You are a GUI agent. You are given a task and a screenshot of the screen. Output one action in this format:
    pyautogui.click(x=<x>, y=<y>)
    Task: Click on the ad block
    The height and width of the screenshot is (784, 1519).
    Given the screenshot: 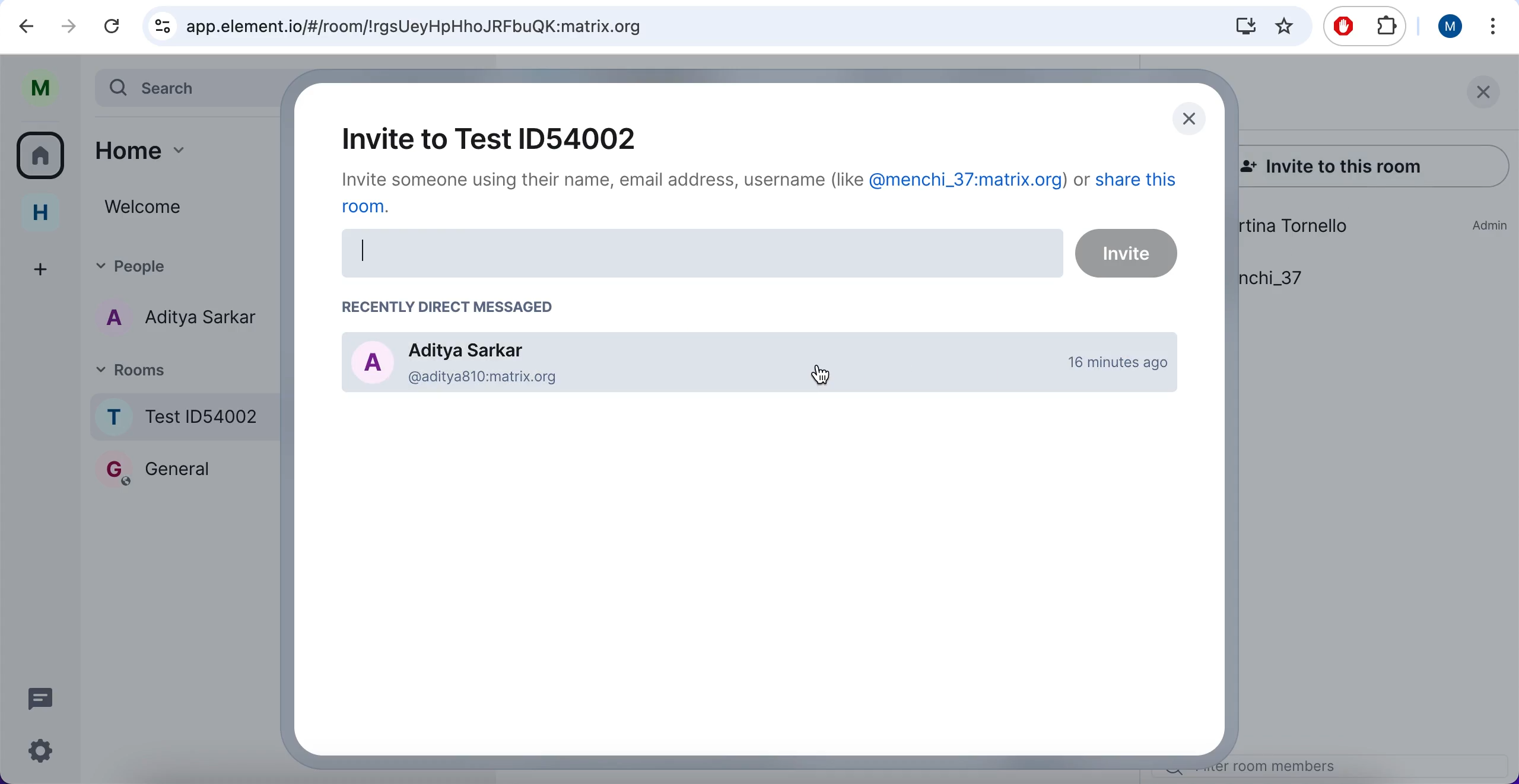 What is the action you would take?
    pyautogui.click(x=1343, y=27)
    